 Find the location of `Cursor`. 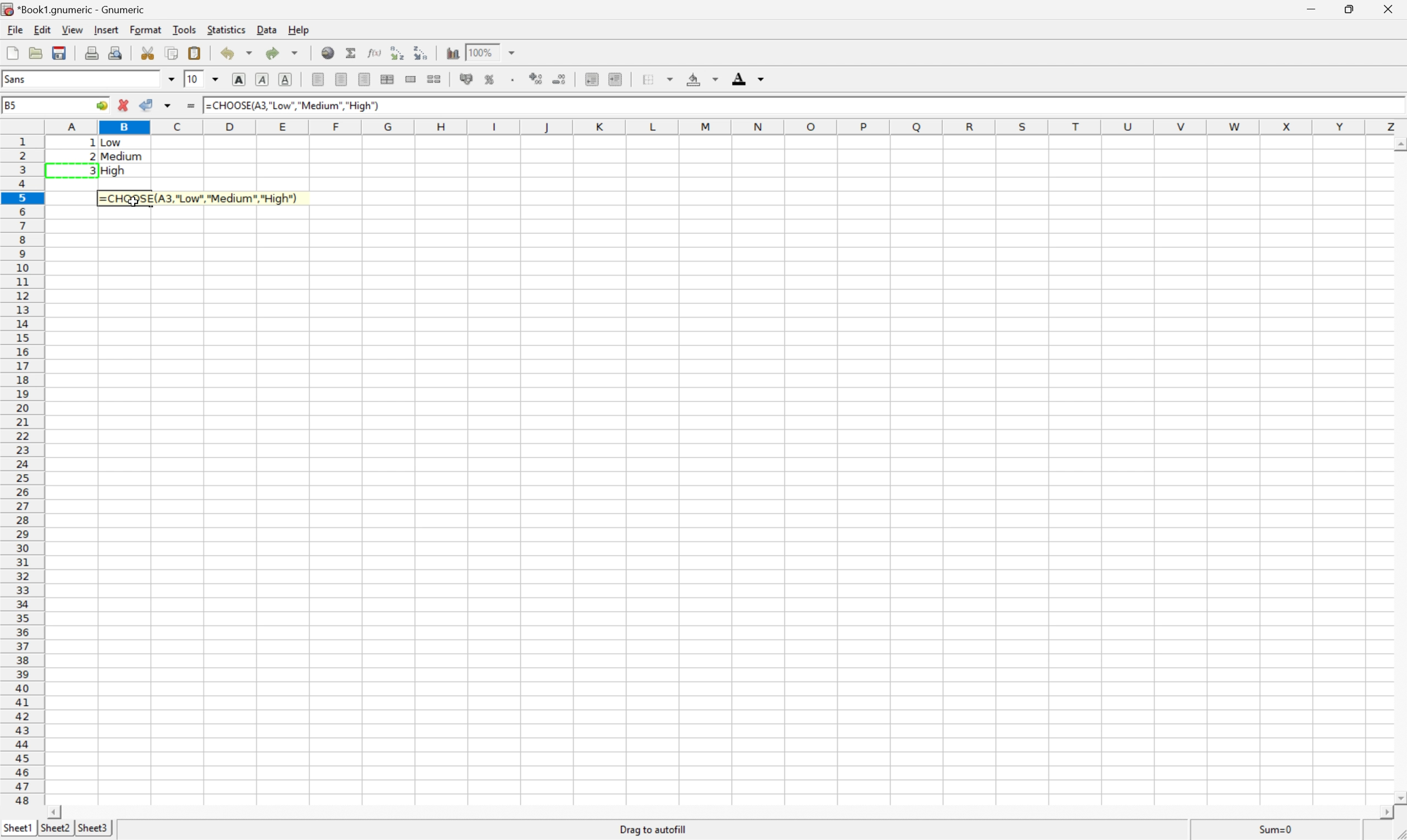

Cursor is located at coordinates (135, 200).